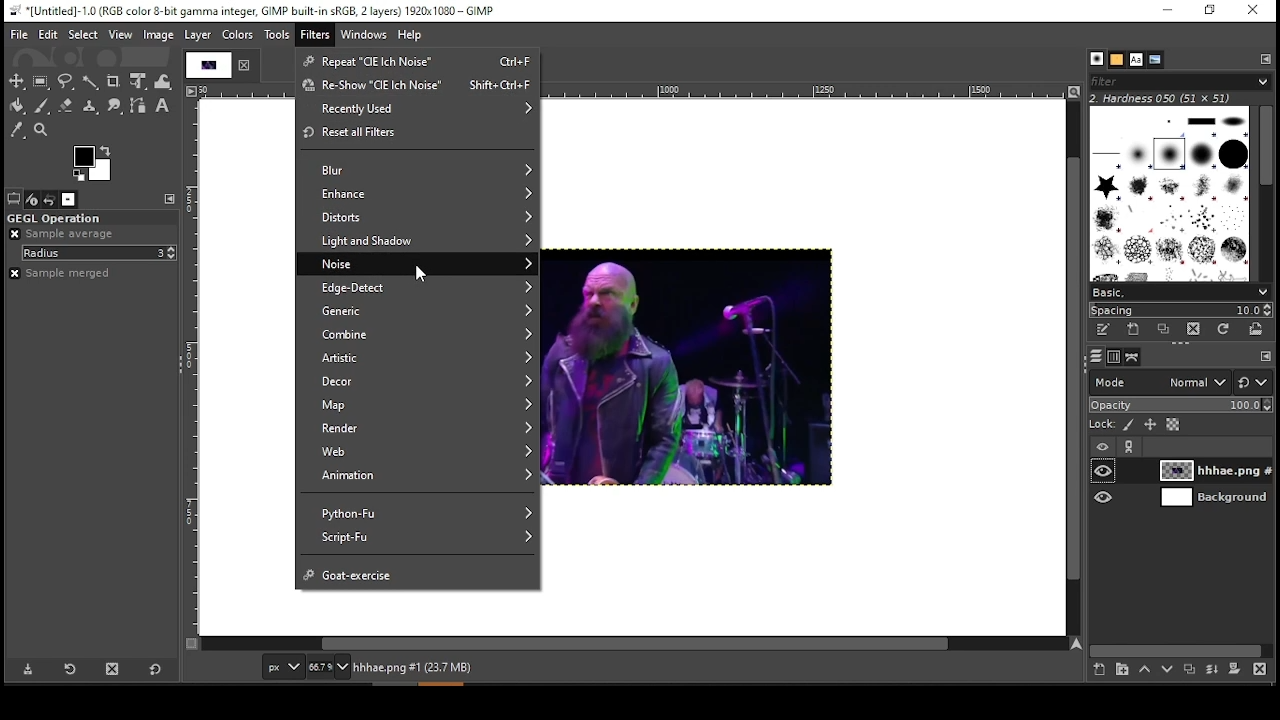  I want to click on merge layer, so click(1212, 670).